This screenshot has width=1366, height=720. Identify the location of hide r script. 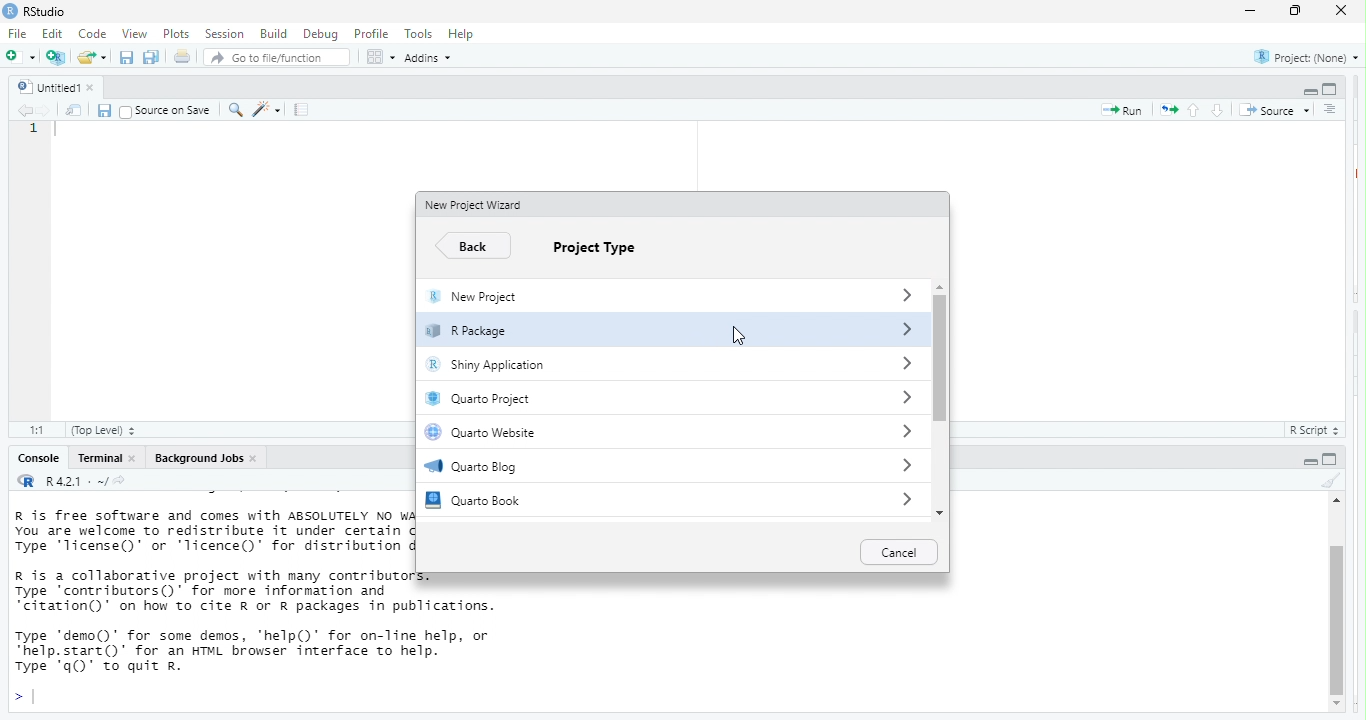
(1305, 461).